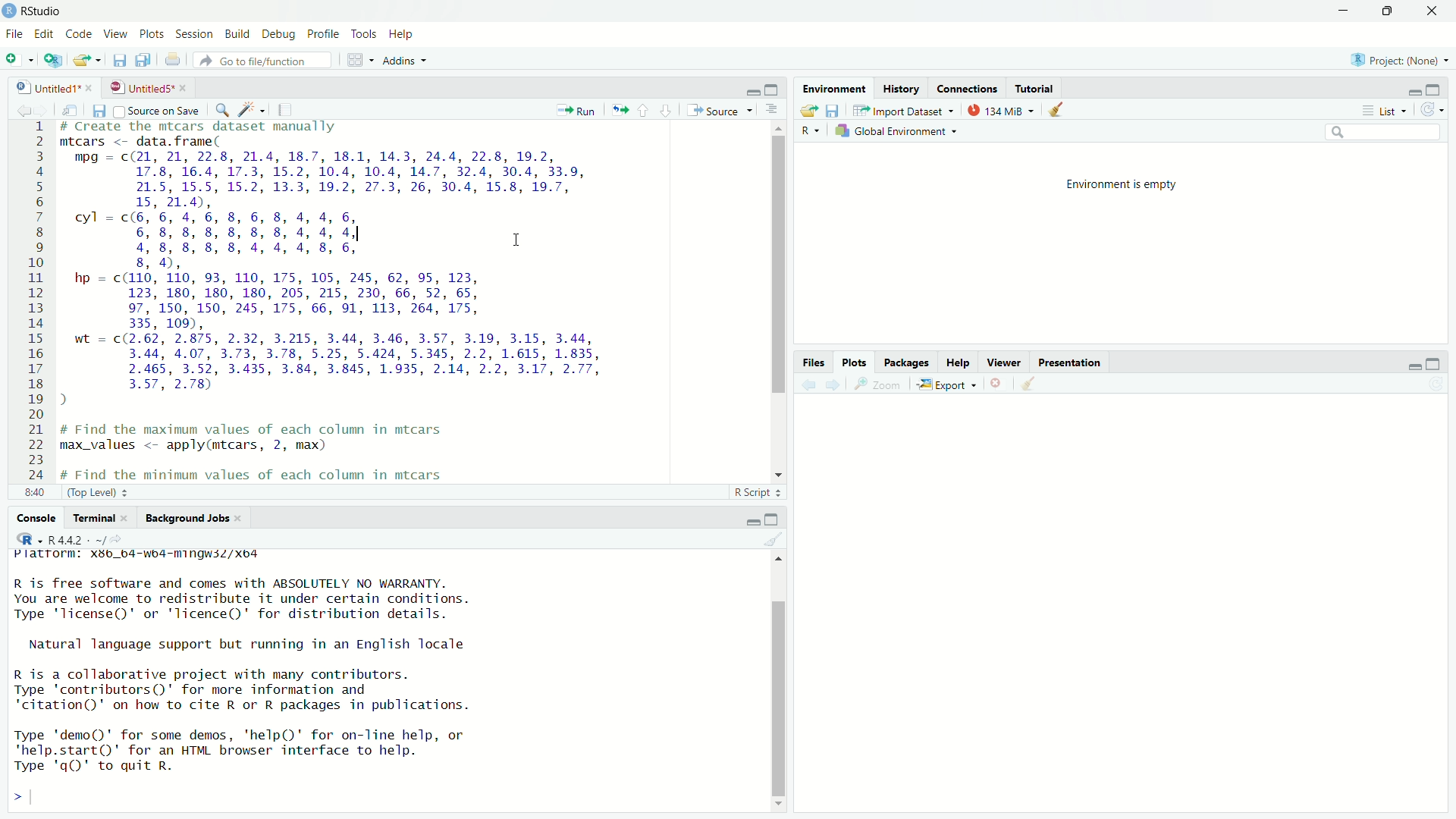 Image resolution: width=1456 pixels, height=819 pixels. Describe the element at coordinates (1341, 11) in the screenshot. I see `minimise` at that location.